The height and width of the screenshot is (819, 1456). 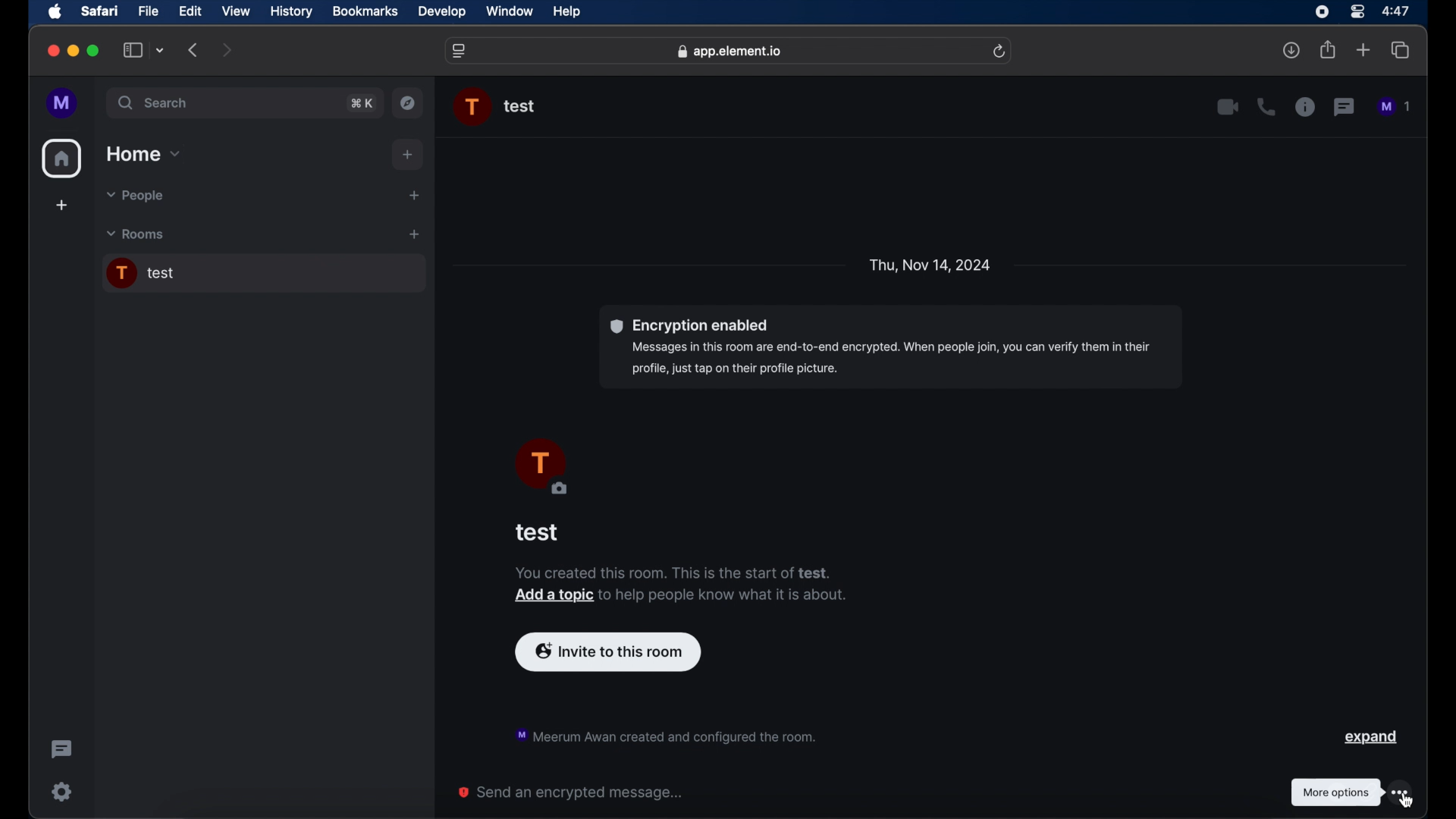 I want to click on refresh, so click(x=1001, y=51).